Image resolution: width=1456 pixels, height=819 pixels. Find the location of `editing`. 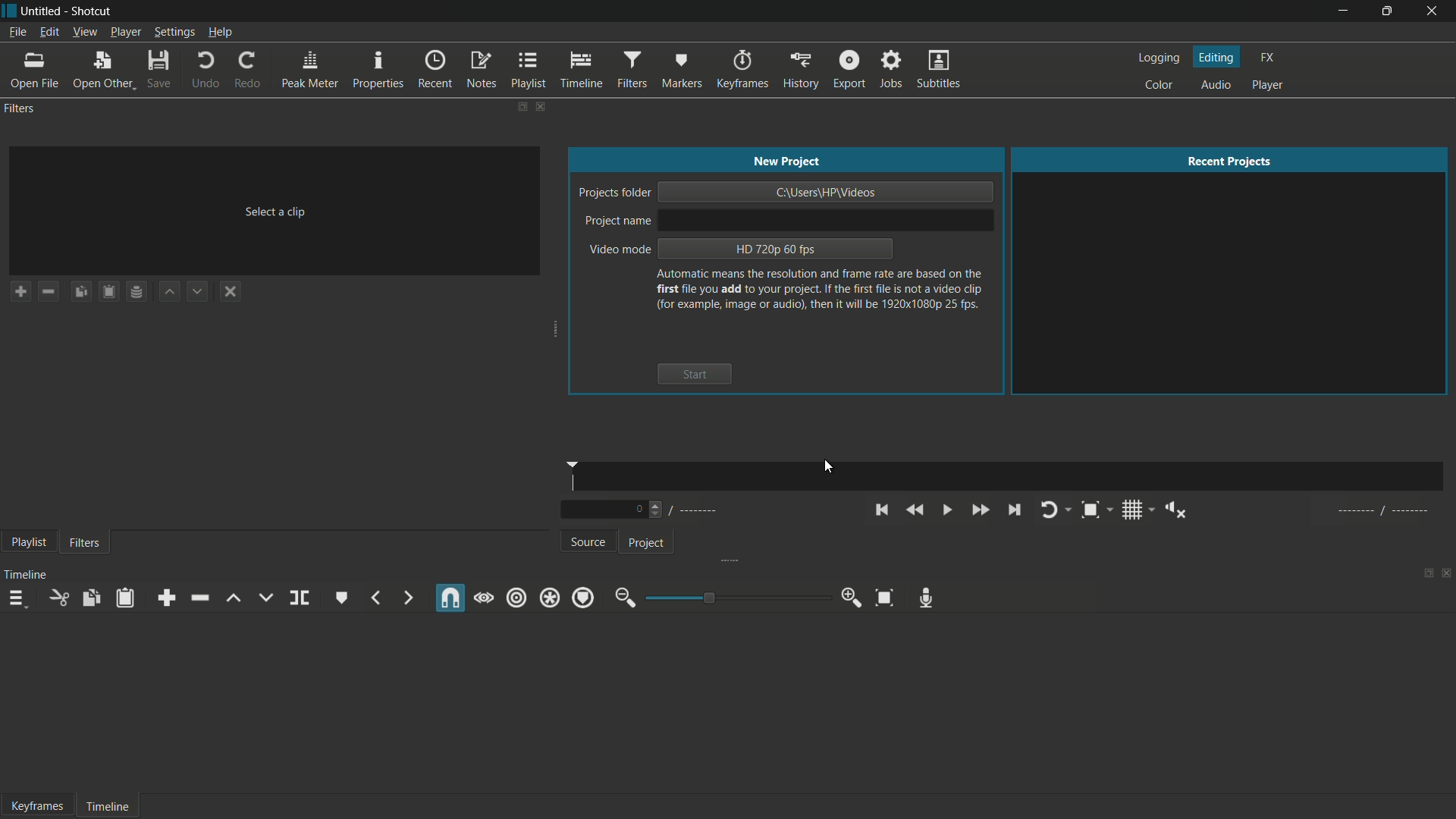

editing is located at coordinates (1217, 57).